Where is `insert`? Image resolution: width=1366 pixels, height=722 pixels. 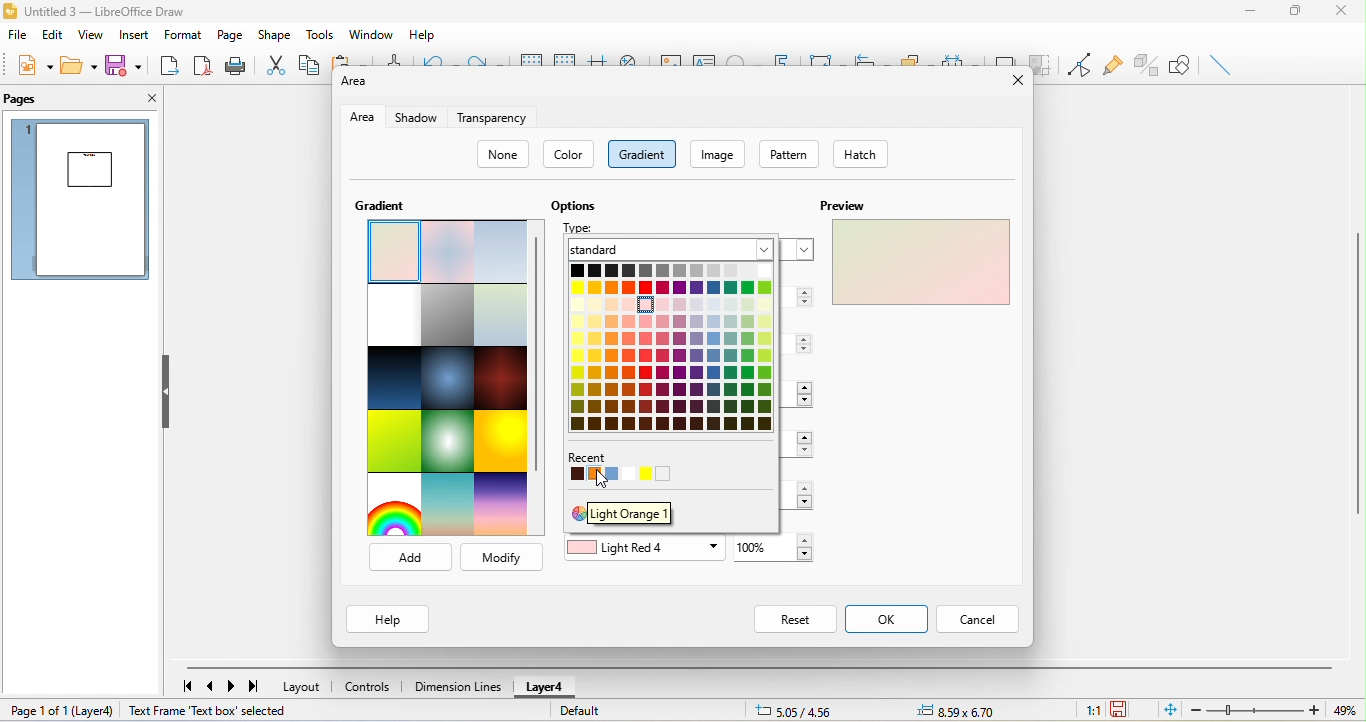
insert is located at coordinates (132, 36).